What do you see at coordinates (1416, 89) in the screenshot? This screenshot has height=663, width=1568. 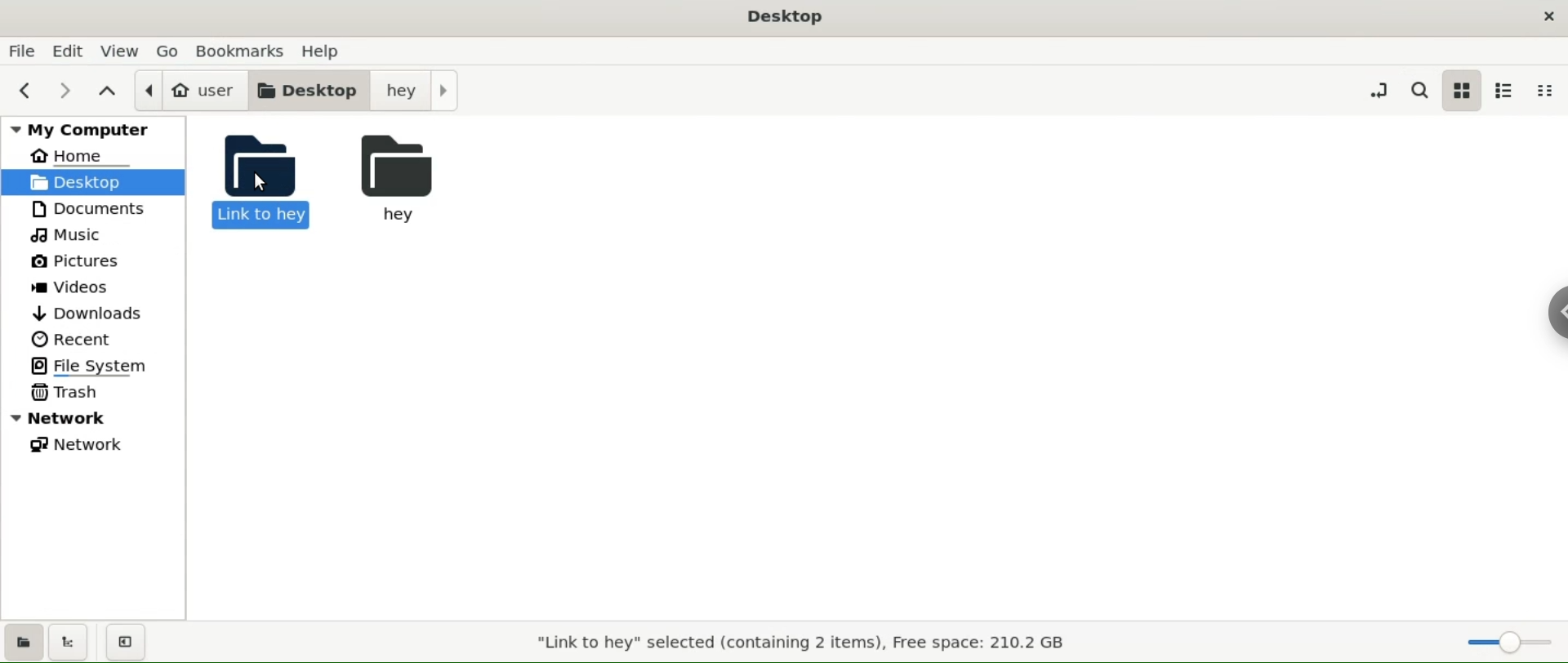 I see `search` at bounding box center [1416, 89].